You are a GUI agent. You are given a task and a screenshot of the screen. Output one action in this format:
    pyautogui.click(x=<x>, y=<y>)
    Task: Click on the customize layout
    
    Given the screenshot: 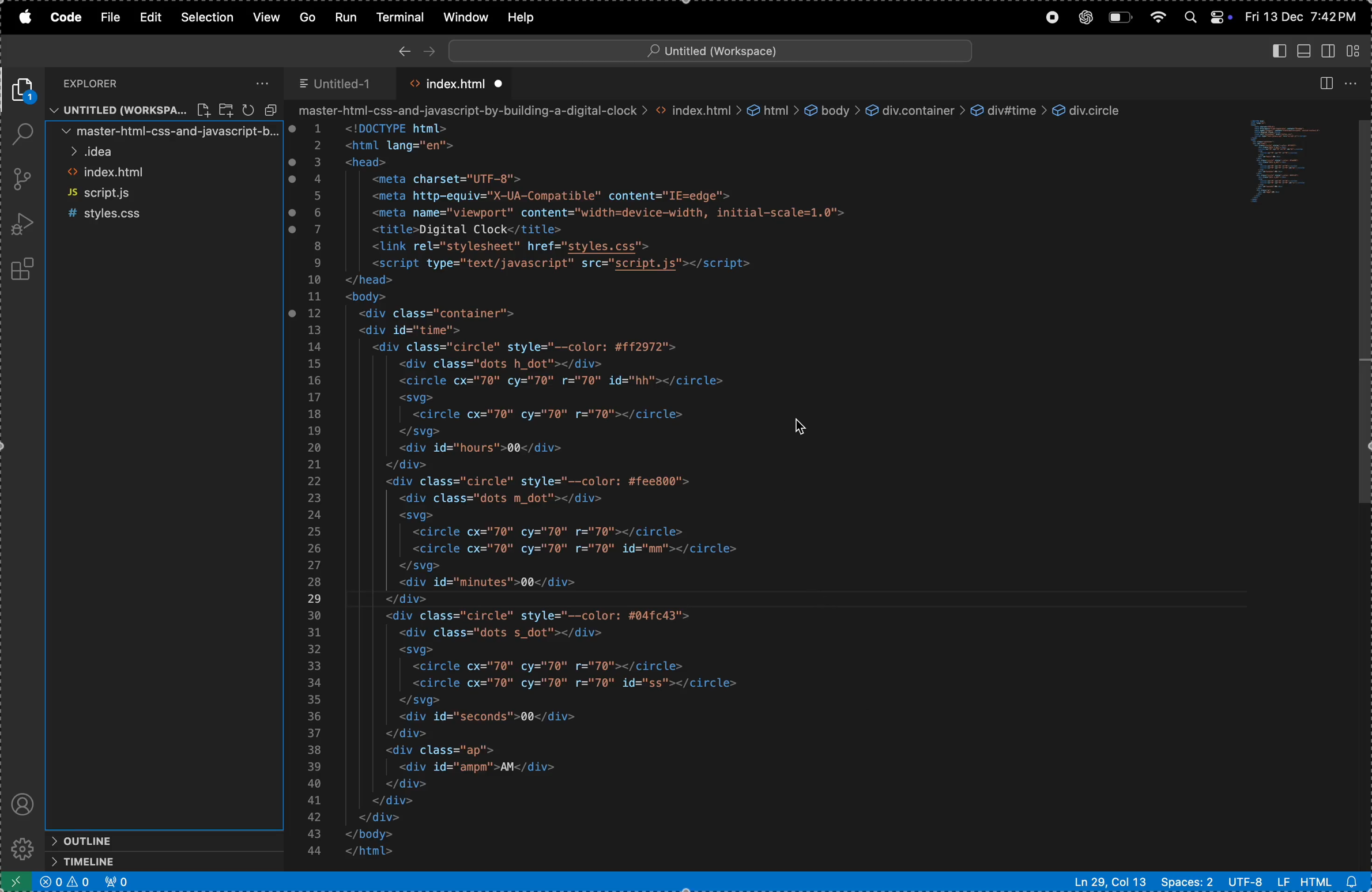 What is the action you would take?
    pyautogui.click(x=1358, y=49)
    